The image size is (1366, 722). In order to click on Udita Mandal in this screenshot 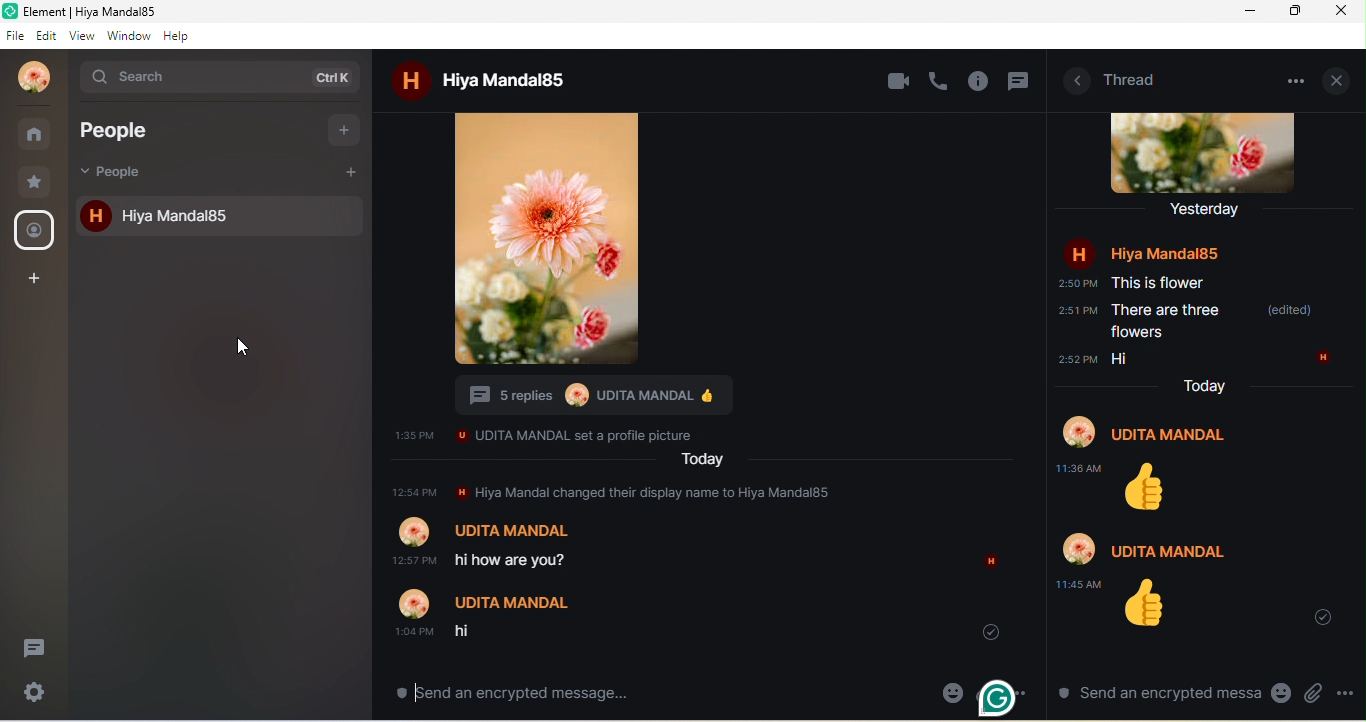, I will do `click(515, 601)`.